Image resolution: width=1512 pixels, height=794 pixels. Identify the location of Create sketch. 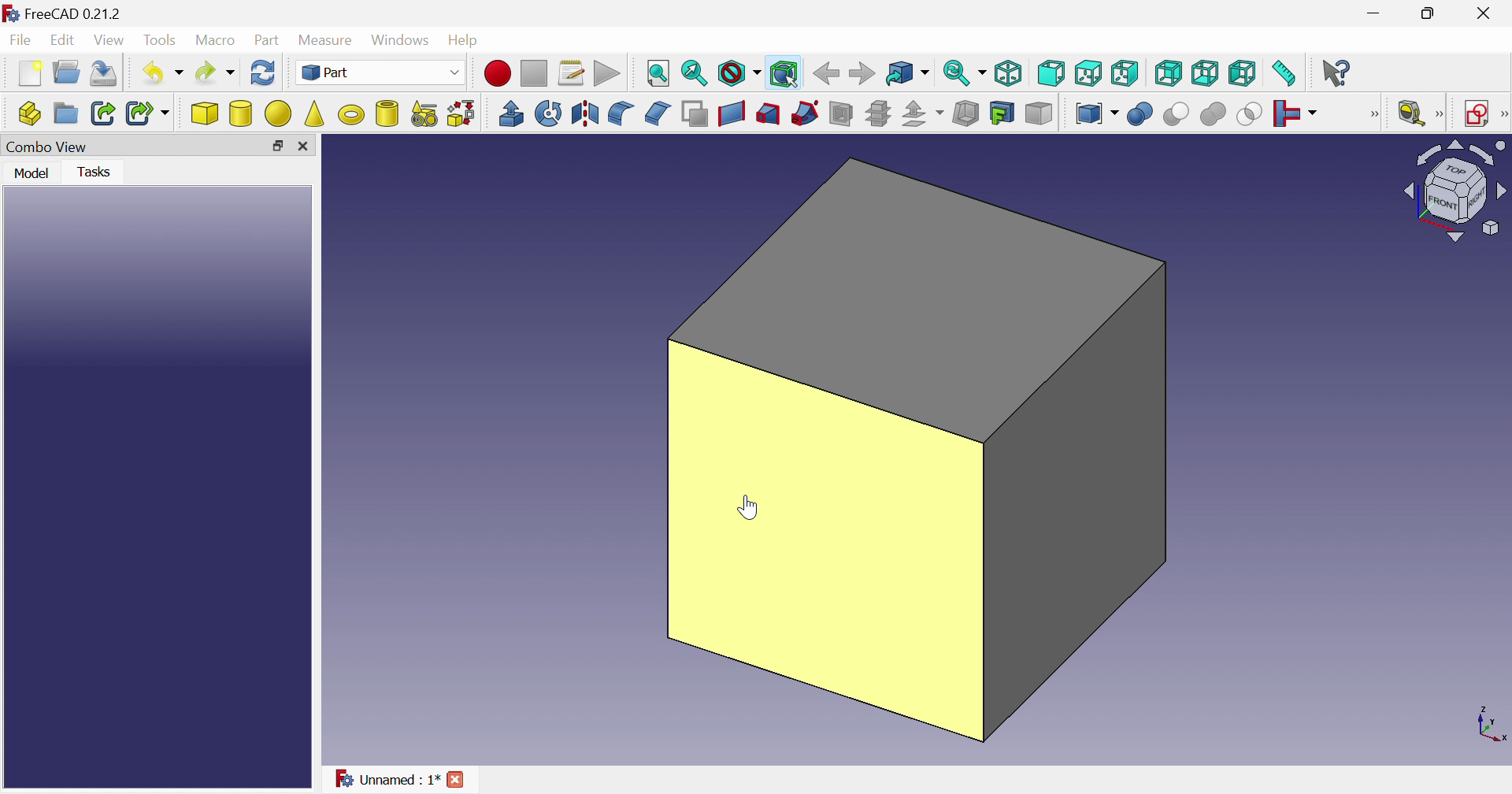
(1477, 114).